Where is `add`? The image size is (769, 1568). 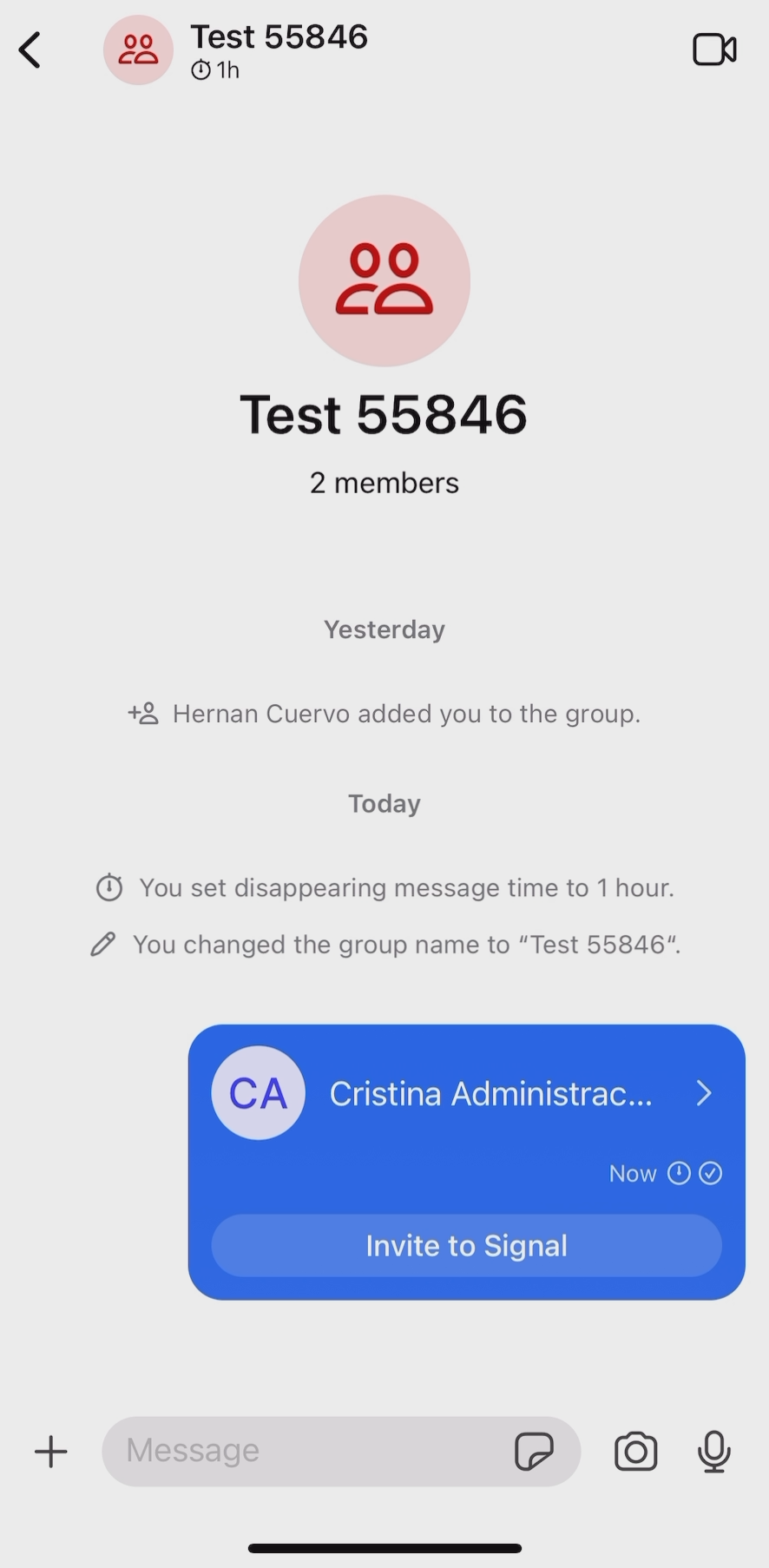 add is located at coordinates (52, 1447).